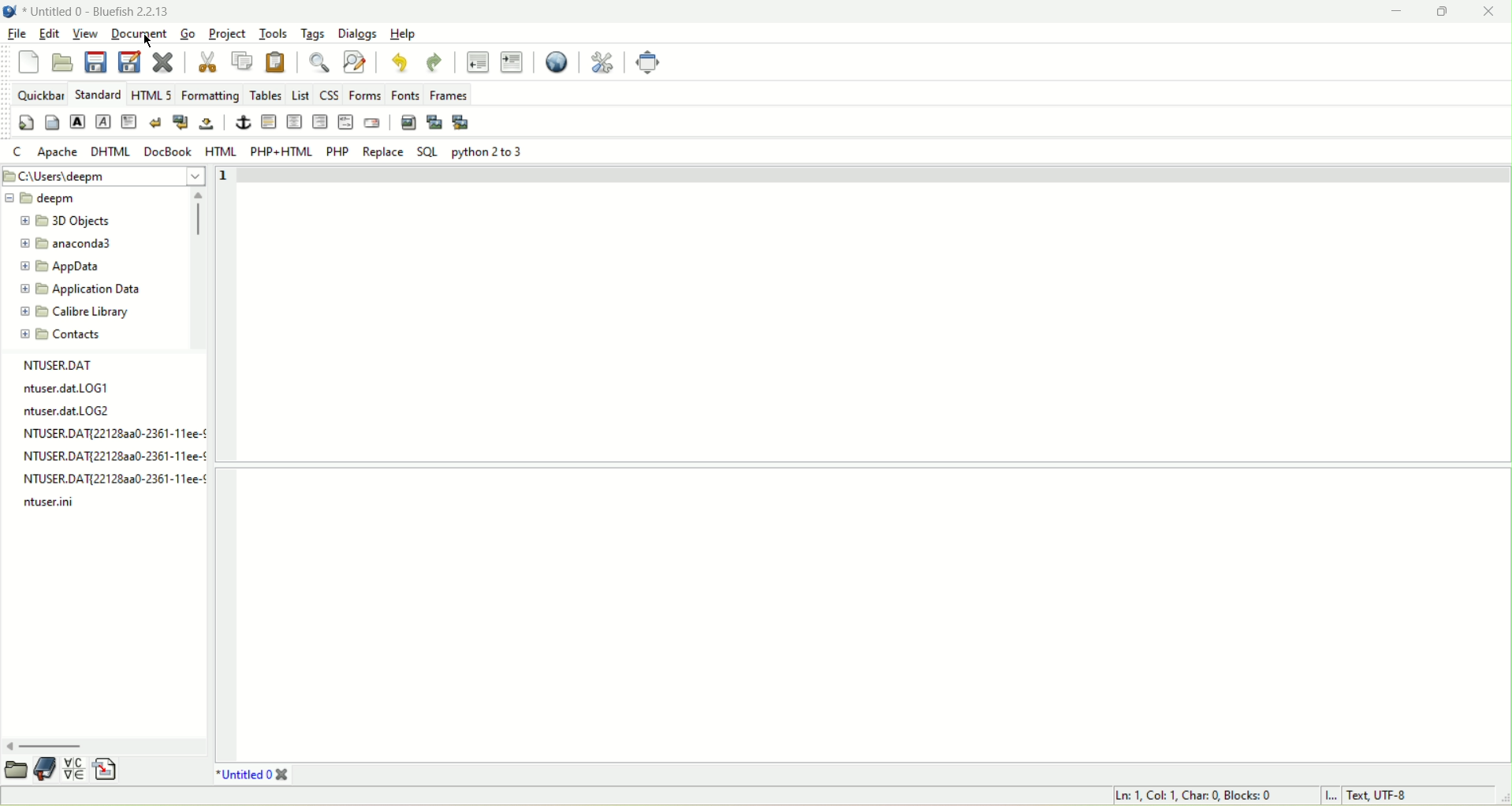 This screenshot has height=806, width=1512. What do you see at coordinates (448, 95) in the screenshot?
I see `frames` at bounding box center [448, 95].